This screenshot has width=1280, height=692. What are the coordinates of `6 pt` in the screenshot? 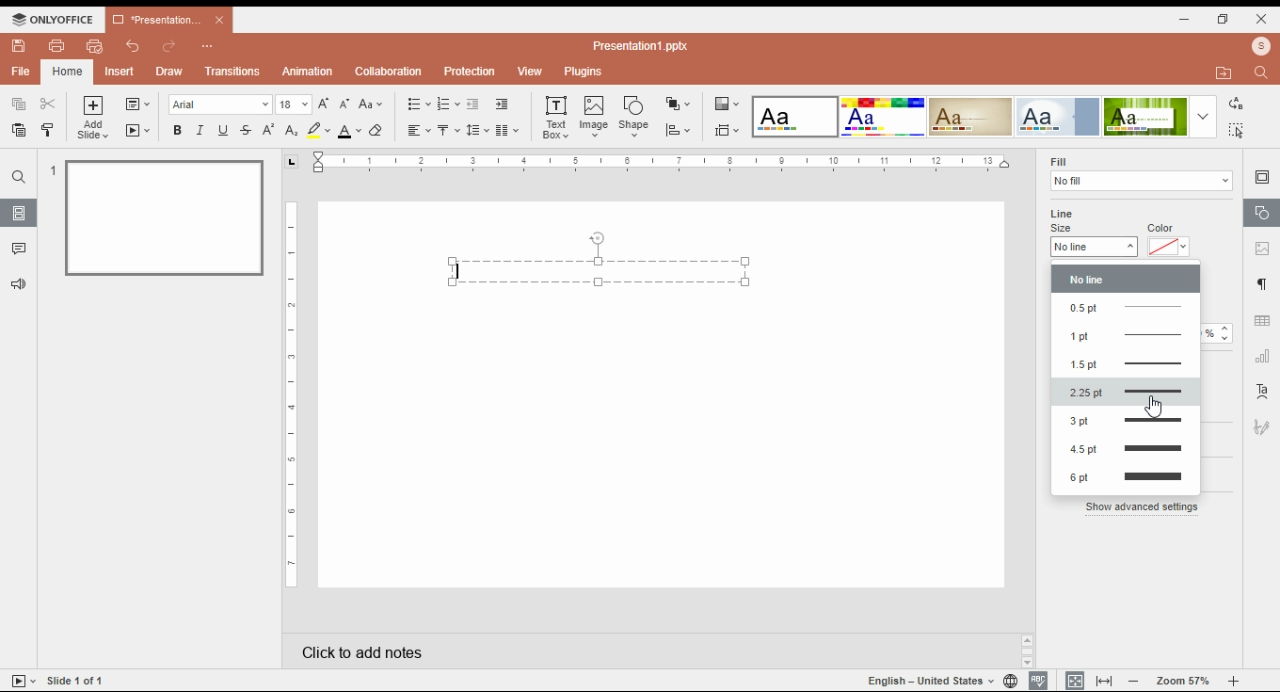 It's located at (1127, 479).